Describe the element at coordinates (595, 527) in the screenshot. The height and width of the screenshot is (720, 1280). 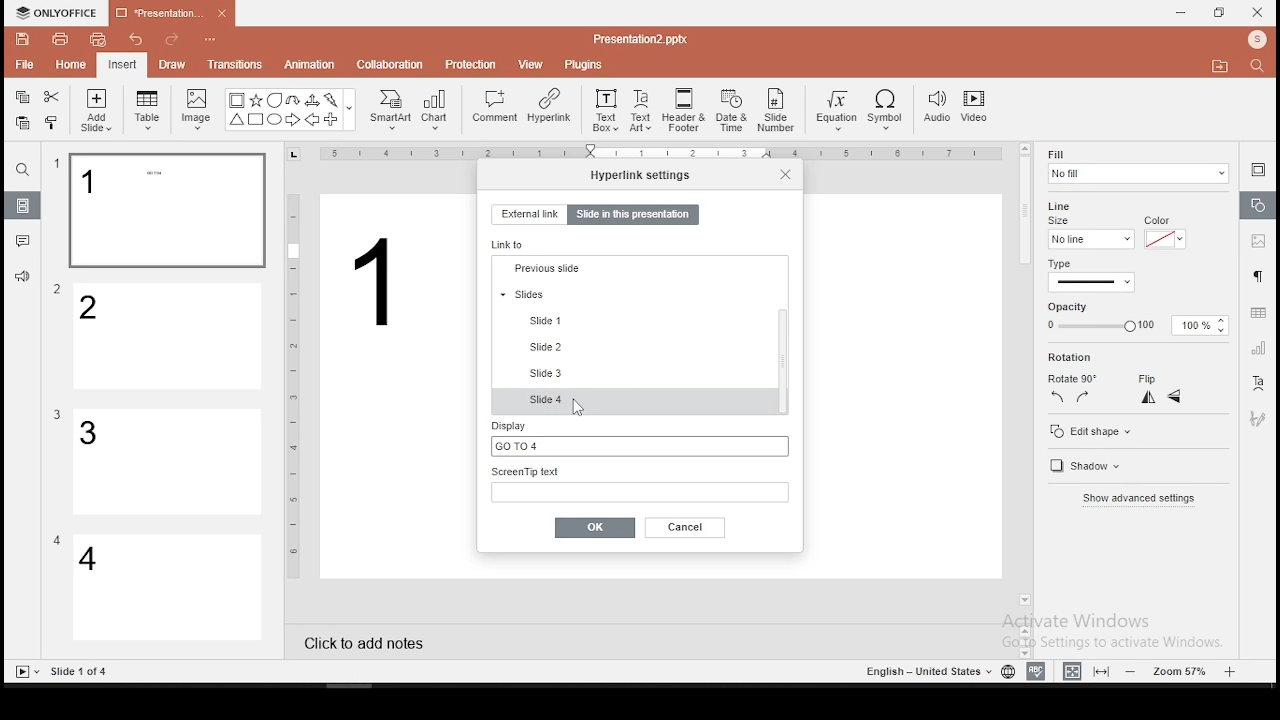
I see `ok` at that location.